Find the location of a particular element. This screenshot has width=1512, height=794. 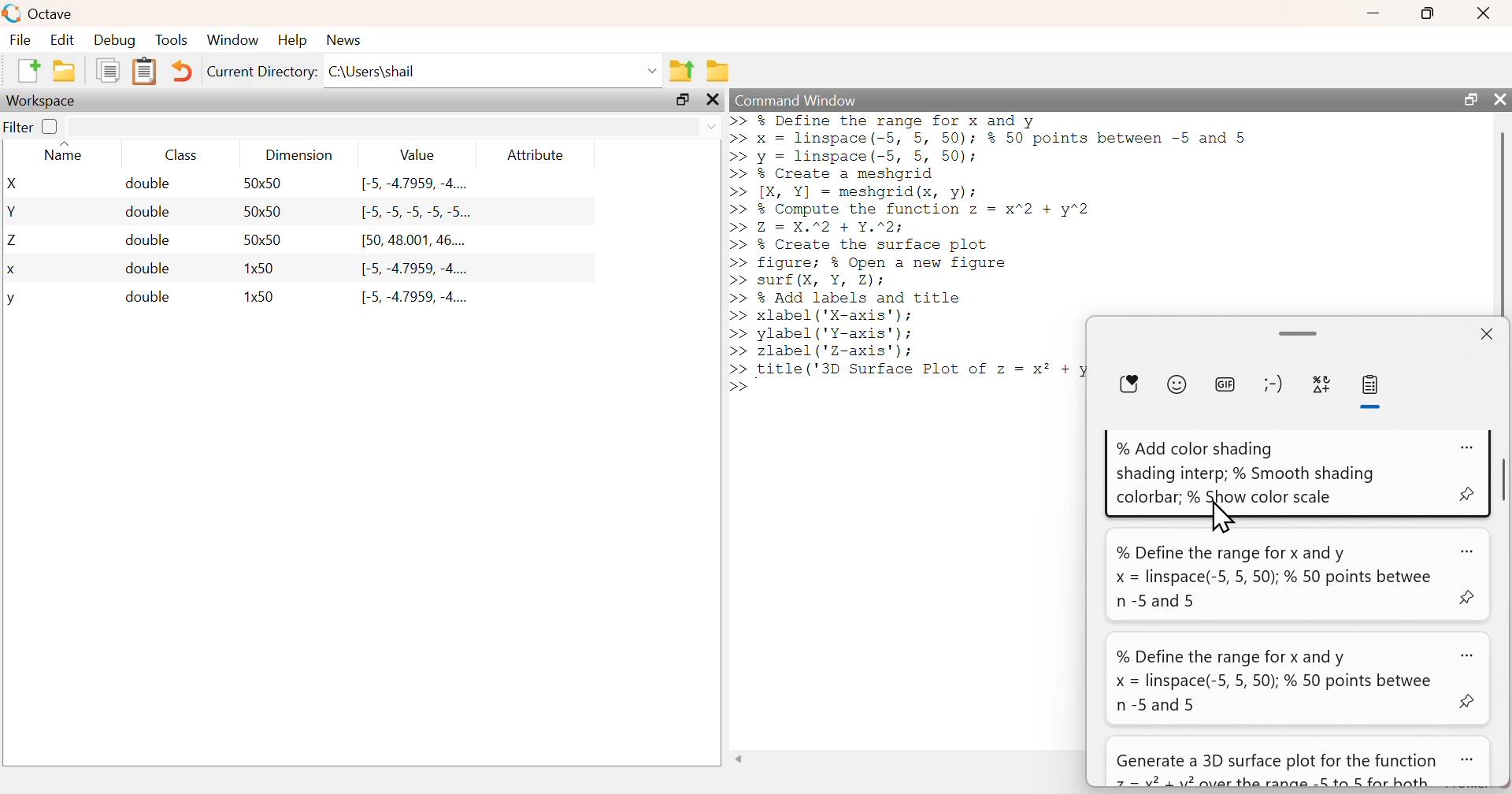

50x50 is located at coordinates (262, 183).